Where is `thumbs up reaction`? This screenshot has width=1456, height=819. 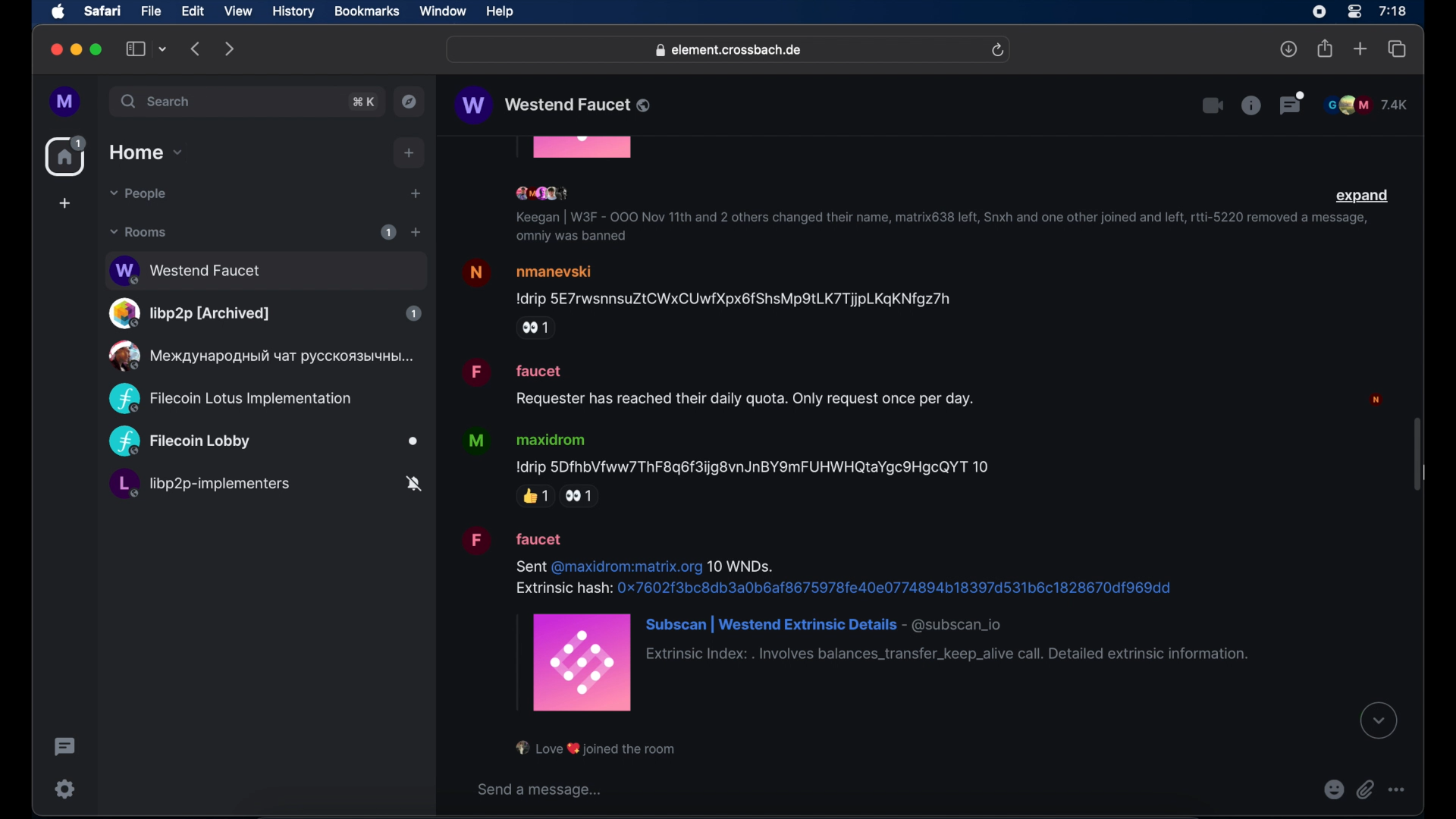 thumbs up reaction is located at coordinates (535, 496).